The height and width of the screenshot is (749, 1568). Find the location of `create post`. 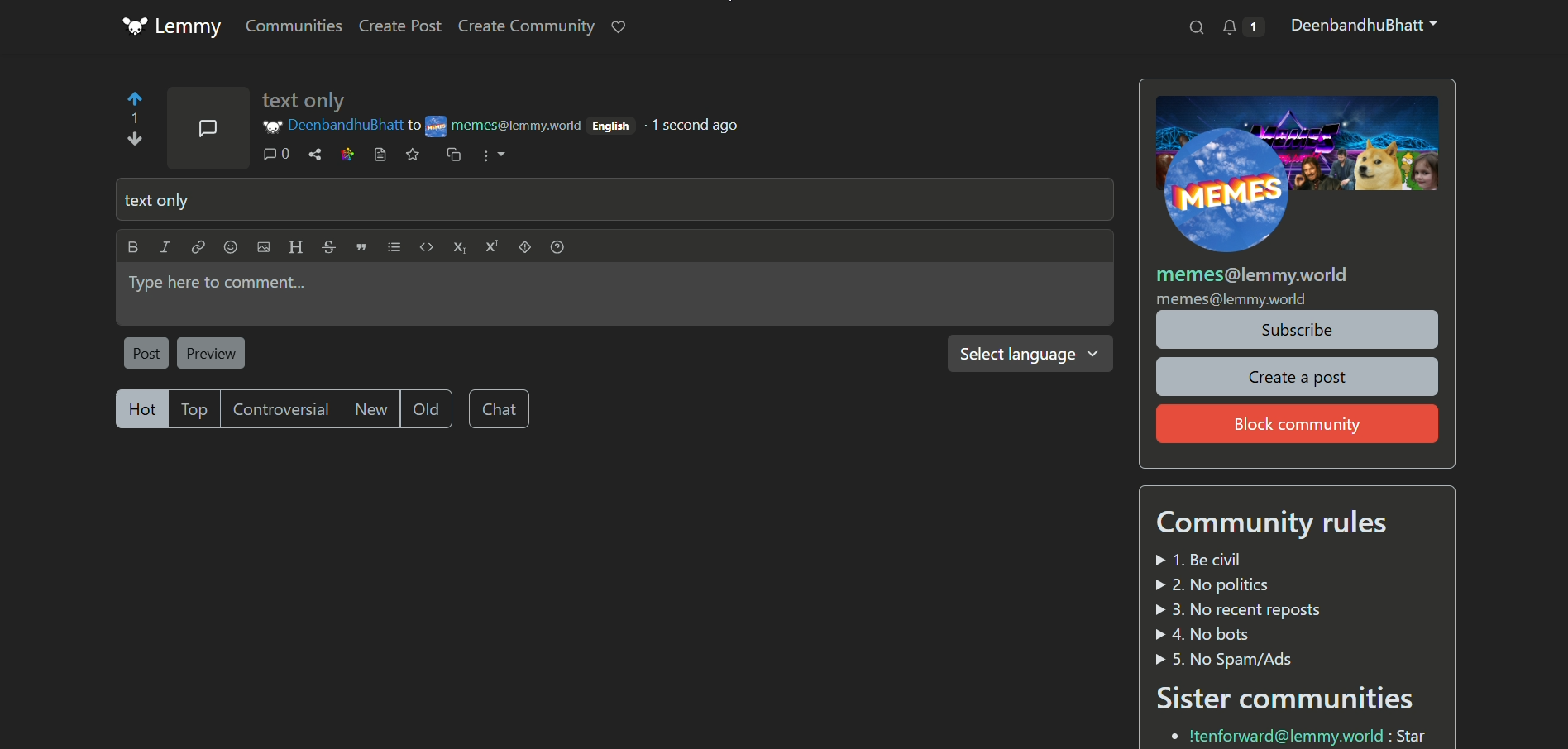

create post is located at coordinates (400, 26).